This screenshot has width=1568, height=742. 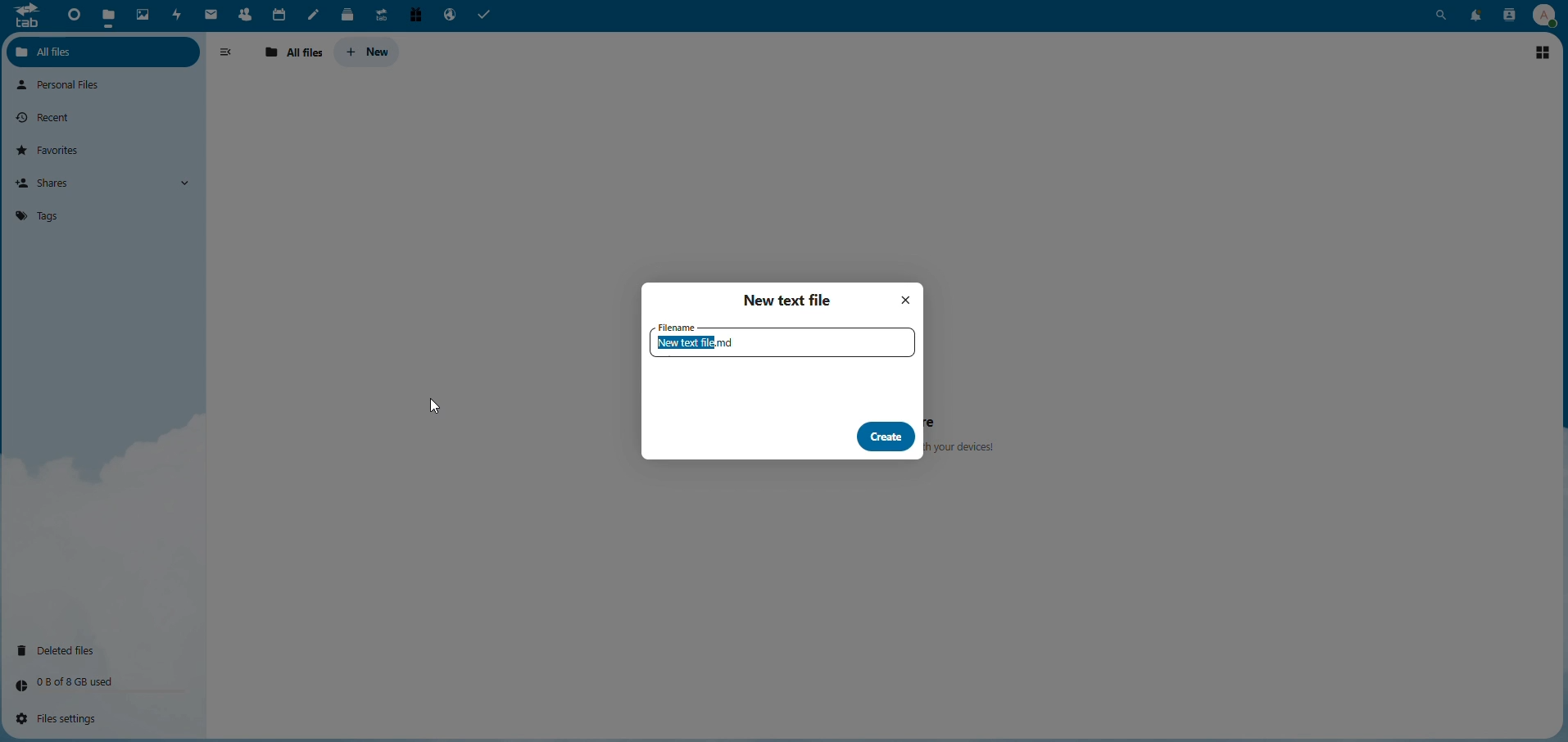 What do you see at coordinates (65, 649) in the screenshot?
I see `Deleted Files` at bounding box center [65, 649].